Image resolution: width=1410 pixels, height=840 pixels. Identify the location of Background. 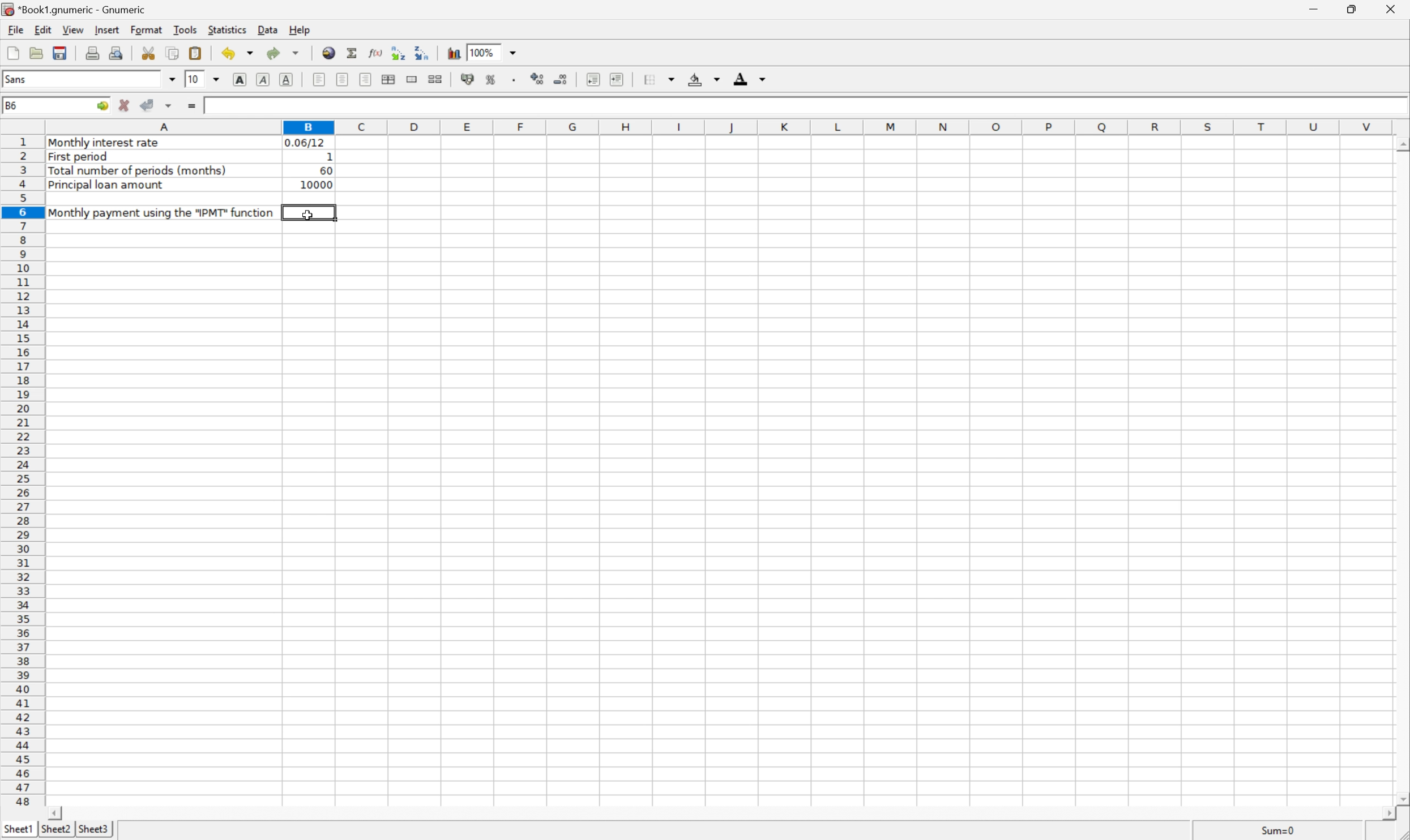
(704, 80).